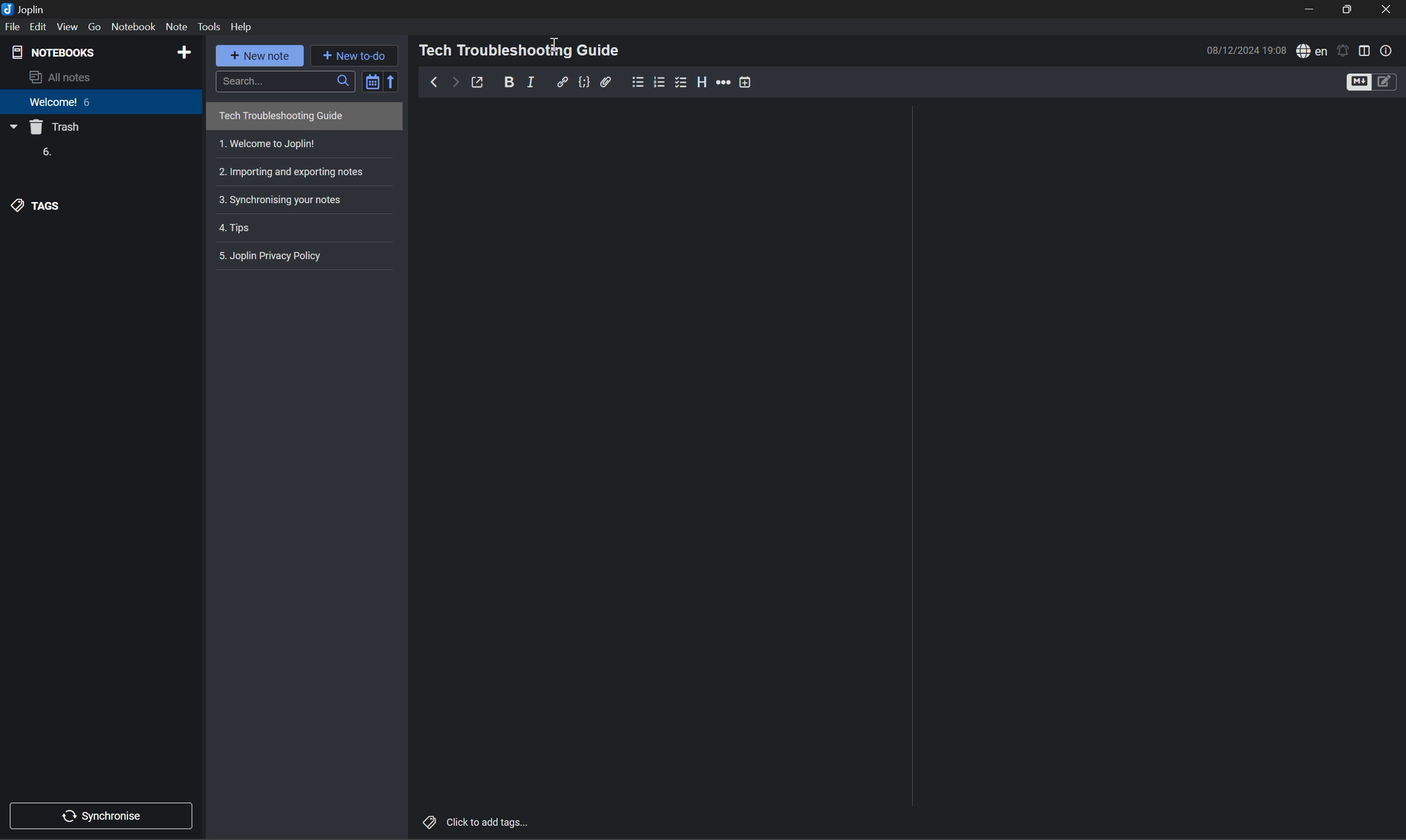  Describe the element at coordinates (184, 51) in the screenshot. I see `Add notebook` at that location.